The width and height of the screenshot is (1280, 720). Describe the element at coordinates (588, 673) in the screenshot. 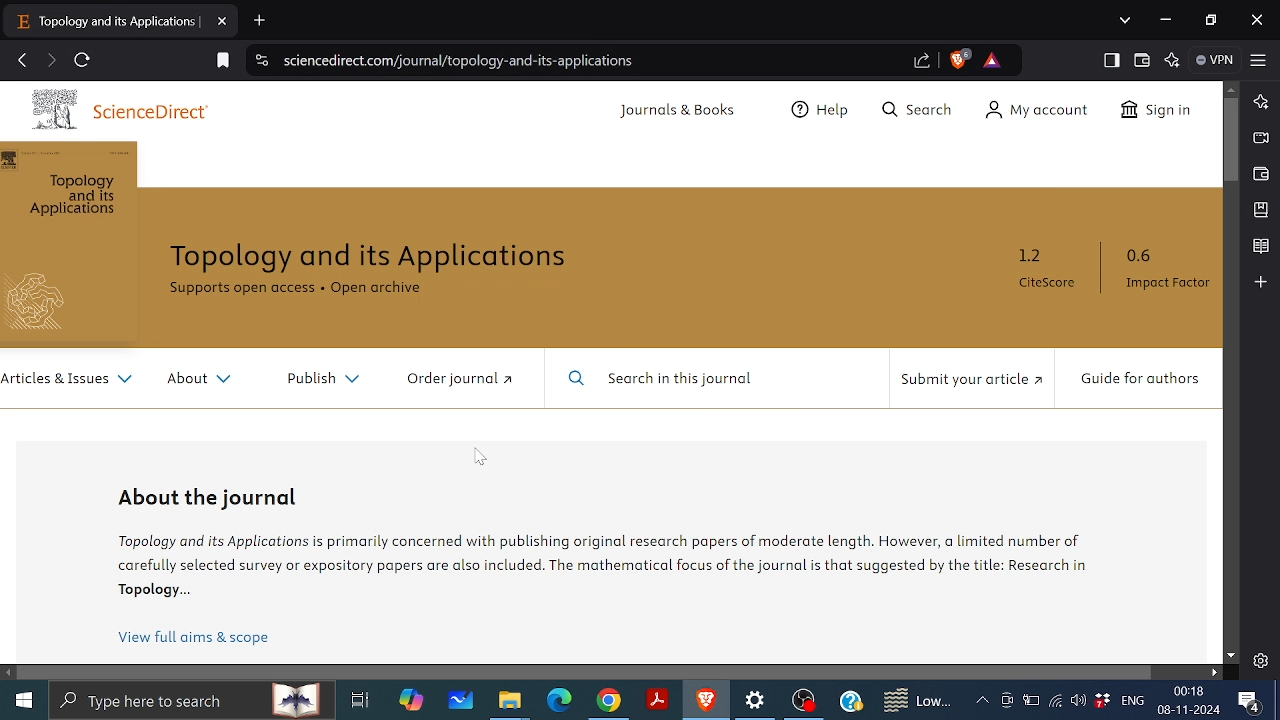

I see `Horizontal scrollbar` at that location.